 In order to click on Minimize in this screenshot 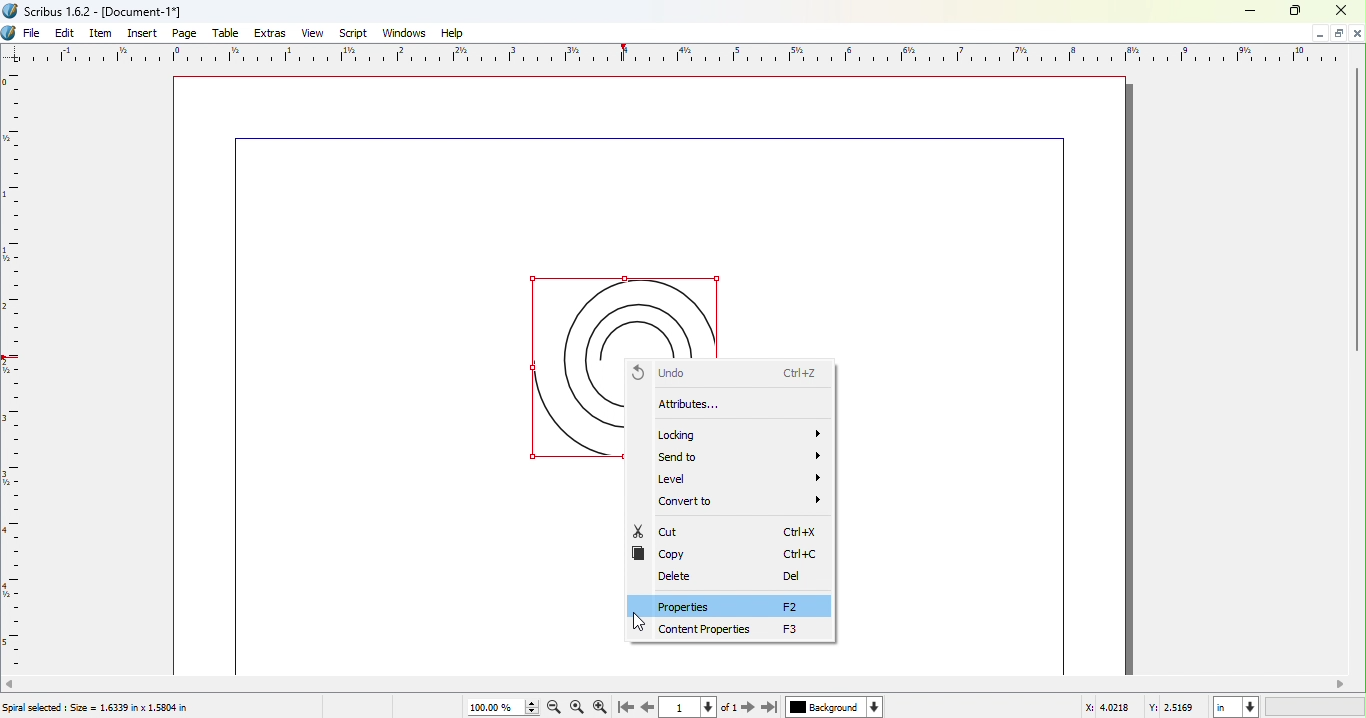, I will do `click(1253, 10)`.